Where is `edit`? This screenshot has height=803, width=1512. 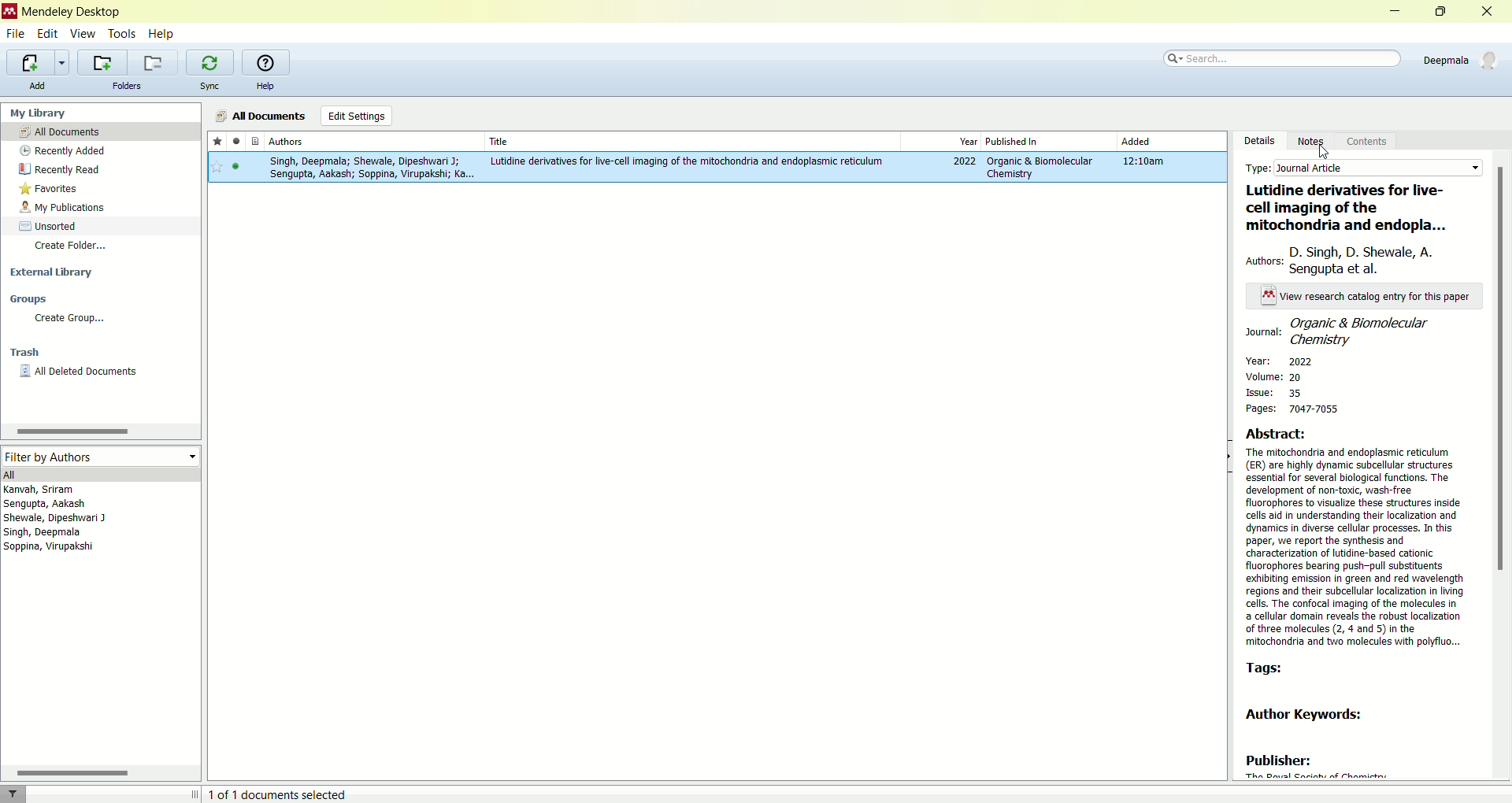 edit is located at coordinates (47, 33).